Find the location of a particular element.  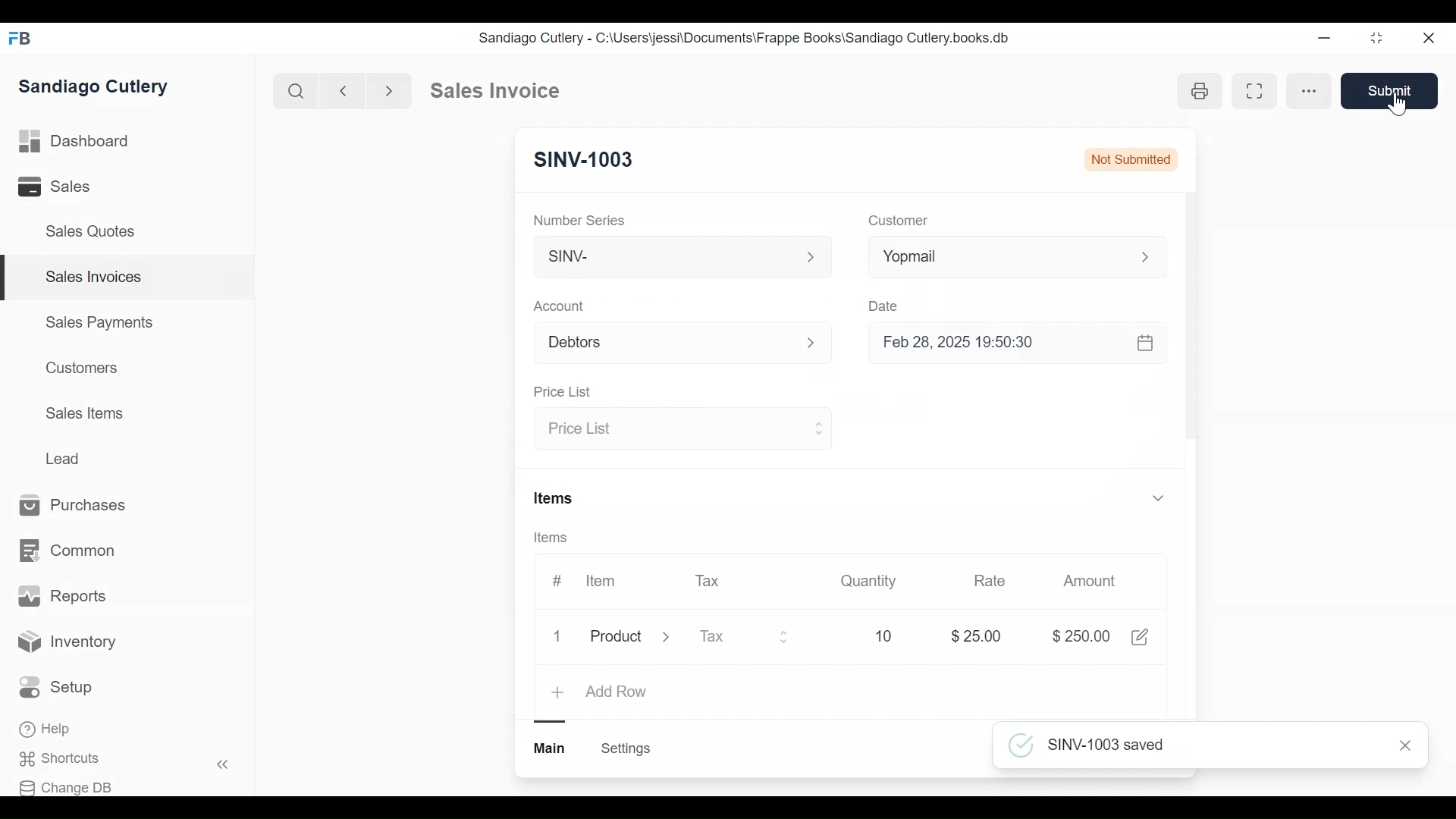

Sales Quotes is located at coordinates (96, 232).